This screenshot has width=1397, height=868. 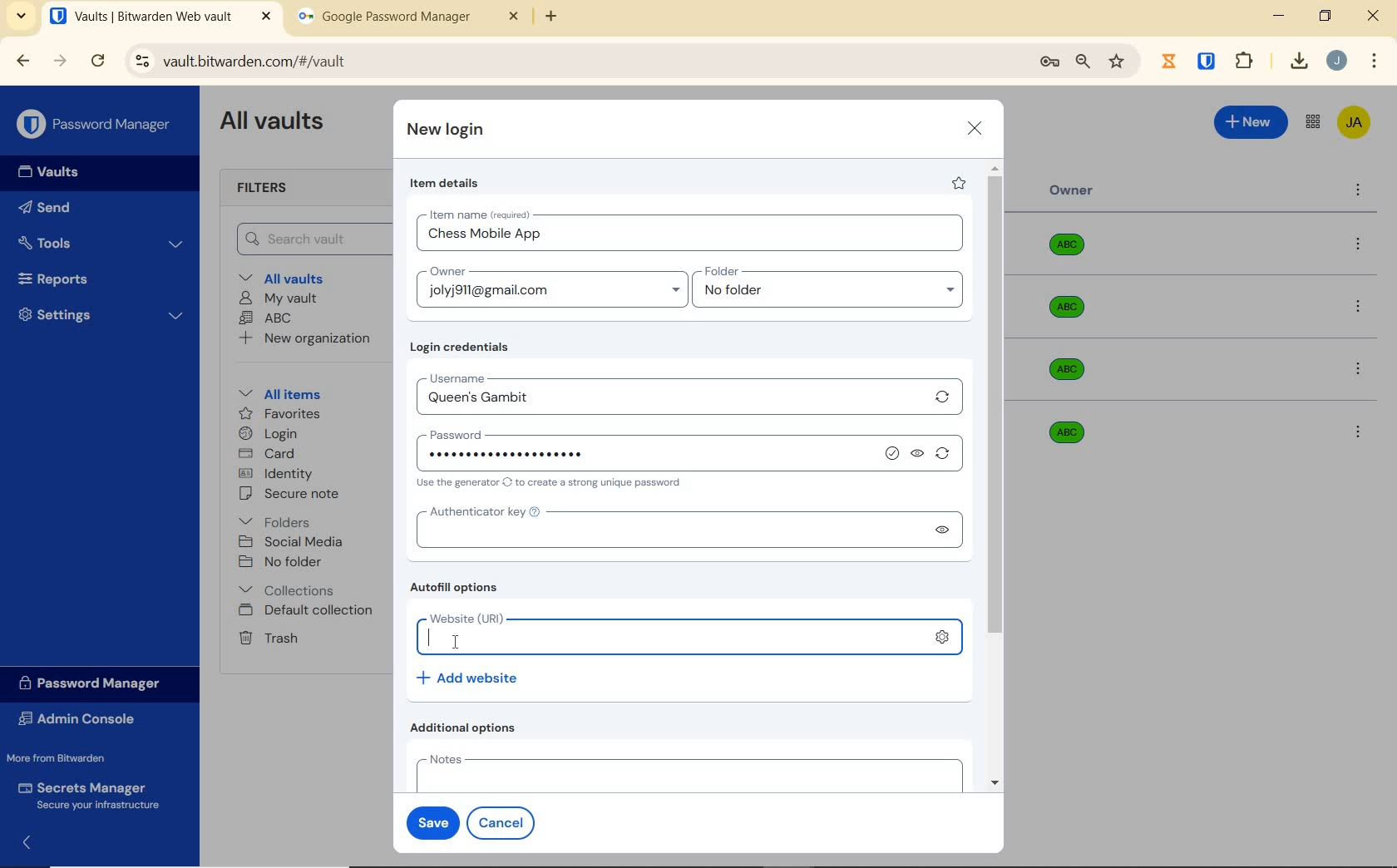 What do you see at coordinates (919, 455) in the screenshot?
I see `unhide` at bounding box center [919, 455].